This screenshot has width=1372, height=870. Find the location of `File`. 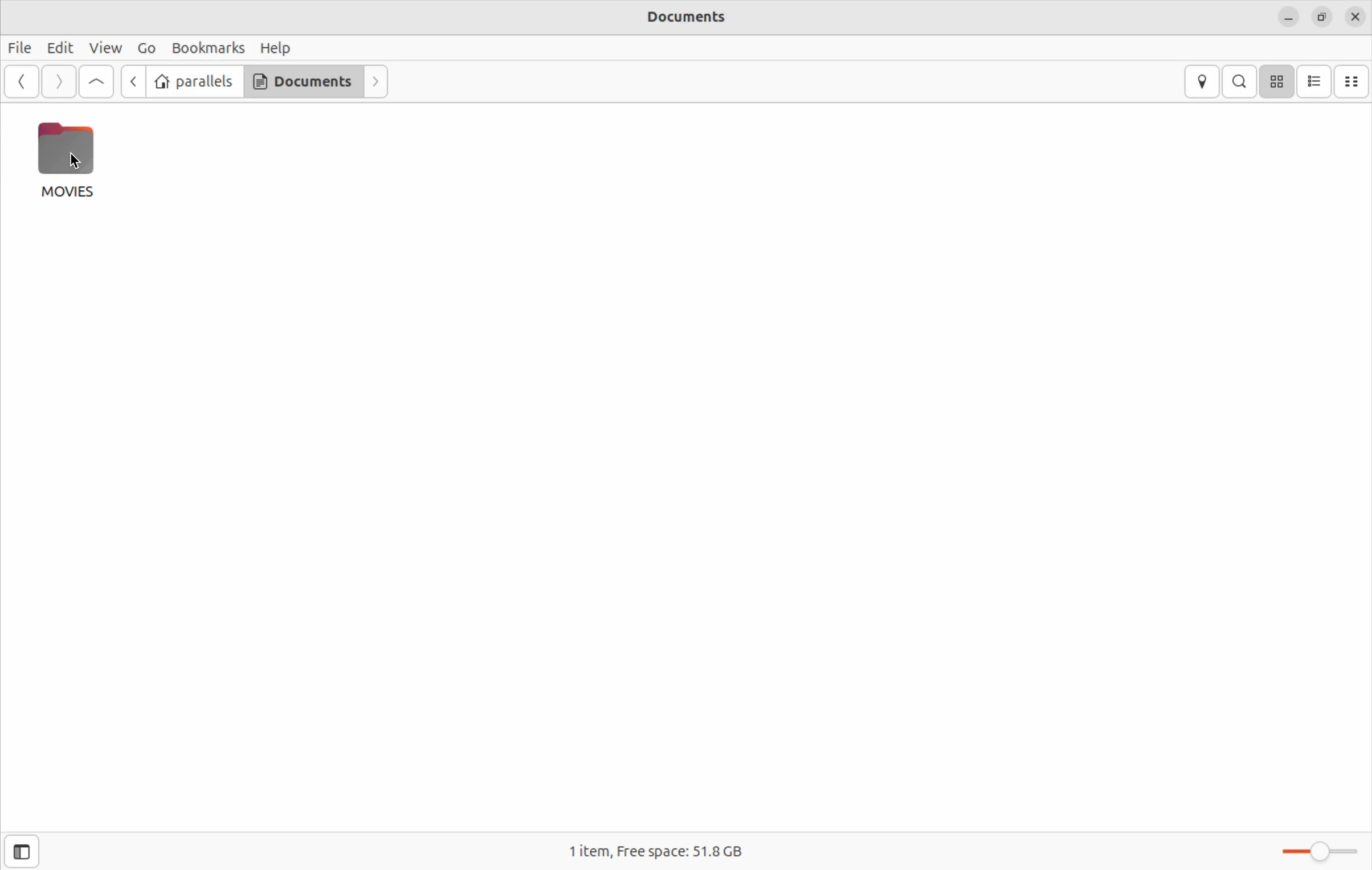

File is located at coordinates (21, 47).